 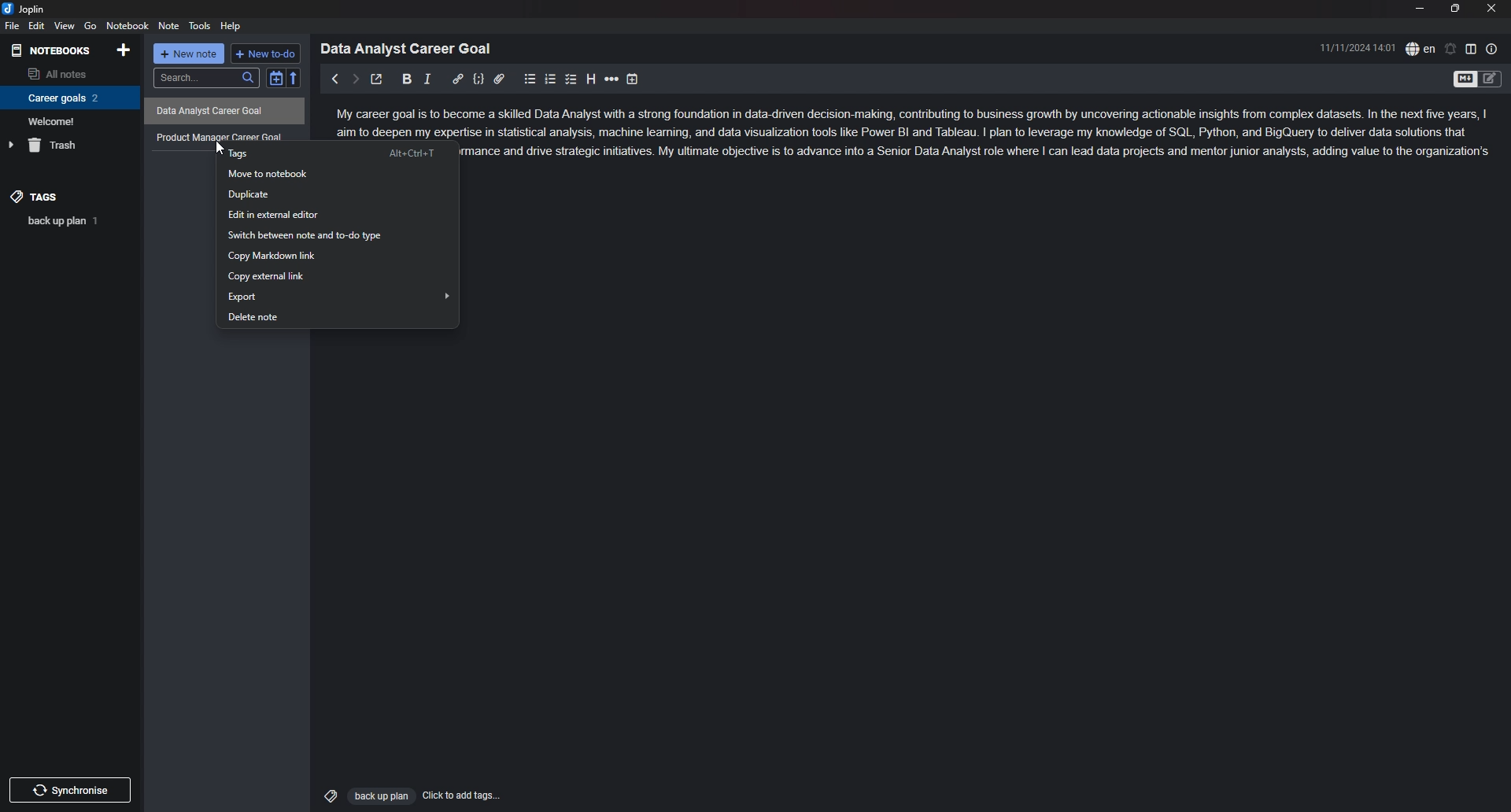 What do you see at coordinates (25, 9) in the screenshot?
I see `joplin` at bounding box center [25, 9].